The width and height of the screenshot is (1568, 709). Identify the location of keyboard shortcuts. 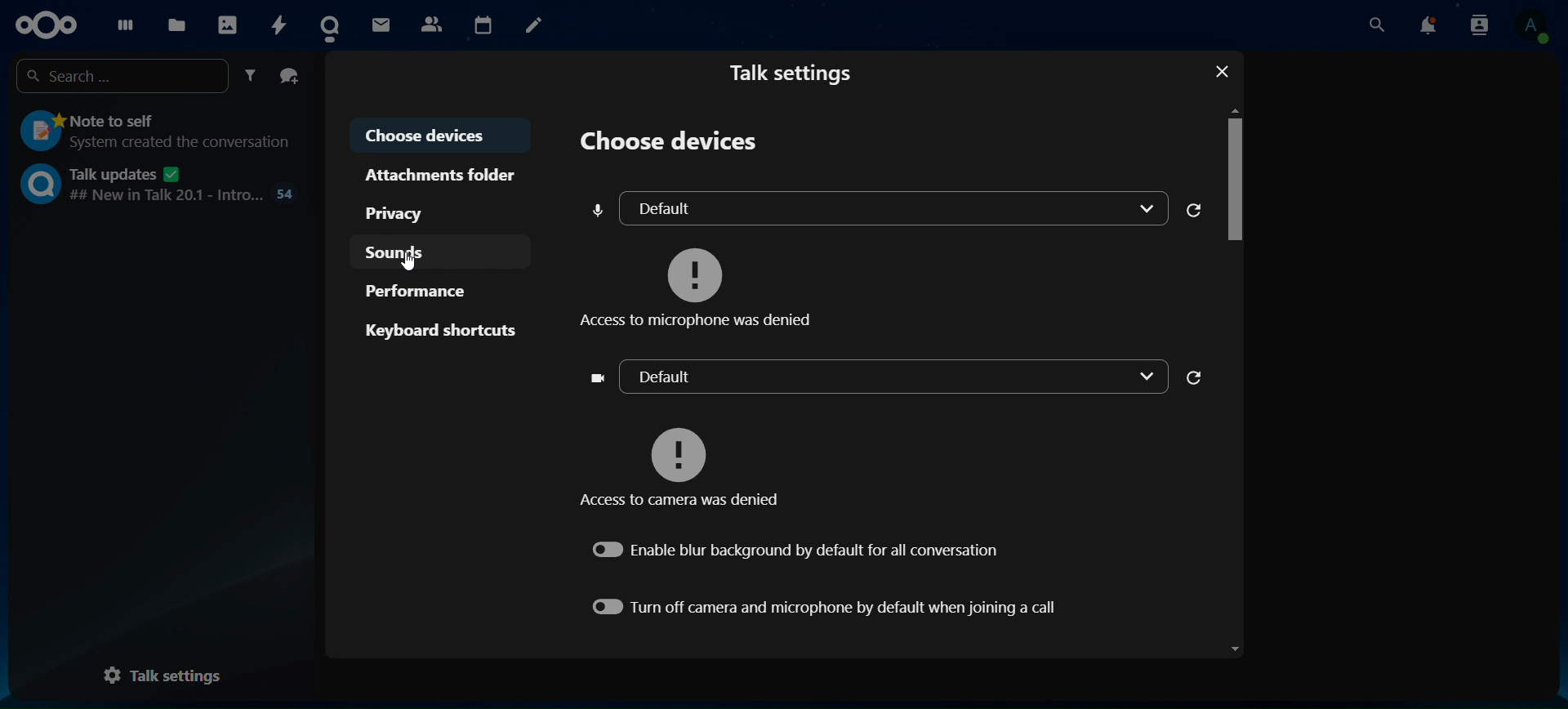
(442, 330).